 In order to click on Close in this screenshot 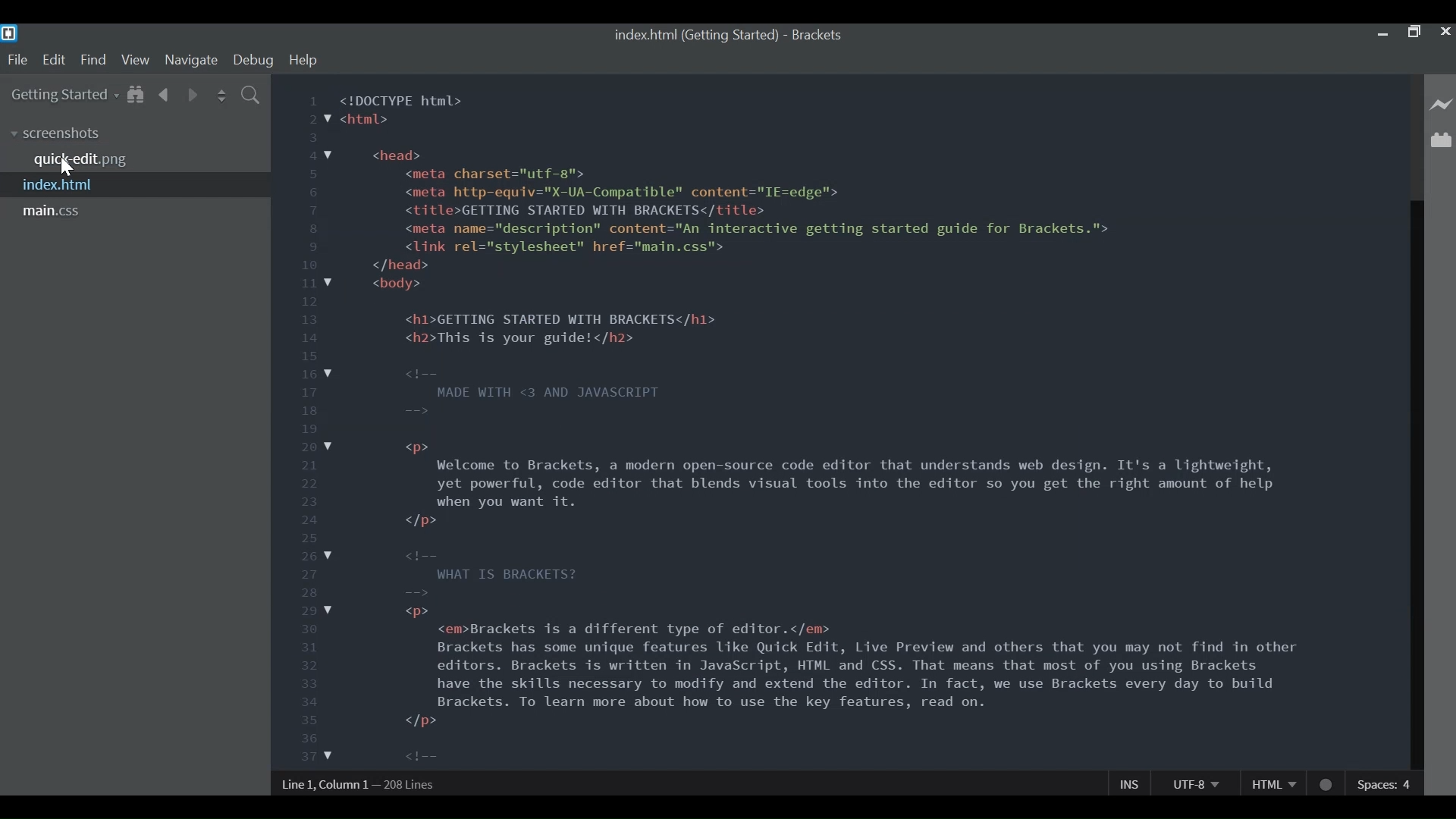, I will do `click(1444, 31)`.